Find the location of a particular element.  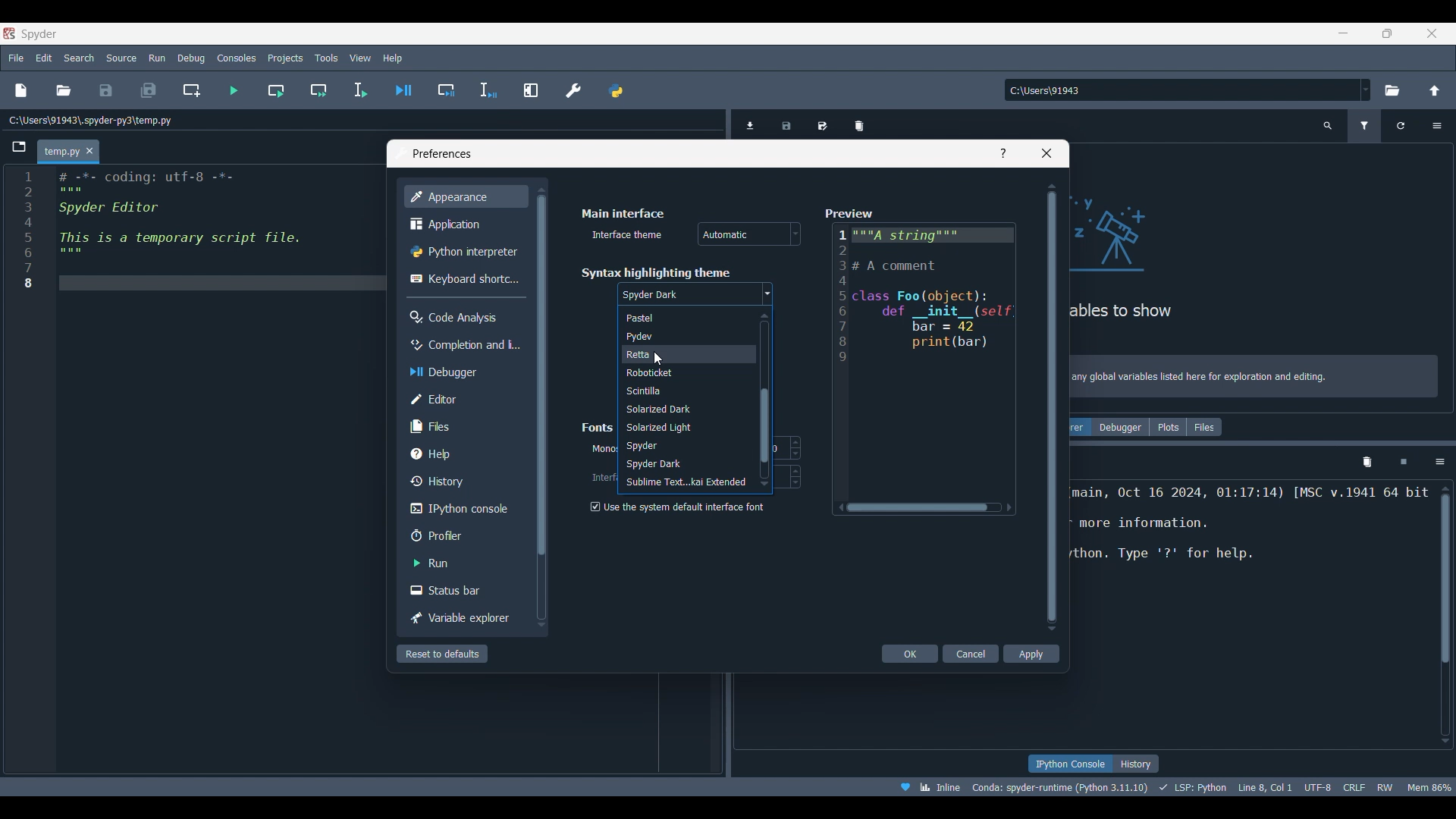

Debug selection or current line is located at coordinates (488, 91).